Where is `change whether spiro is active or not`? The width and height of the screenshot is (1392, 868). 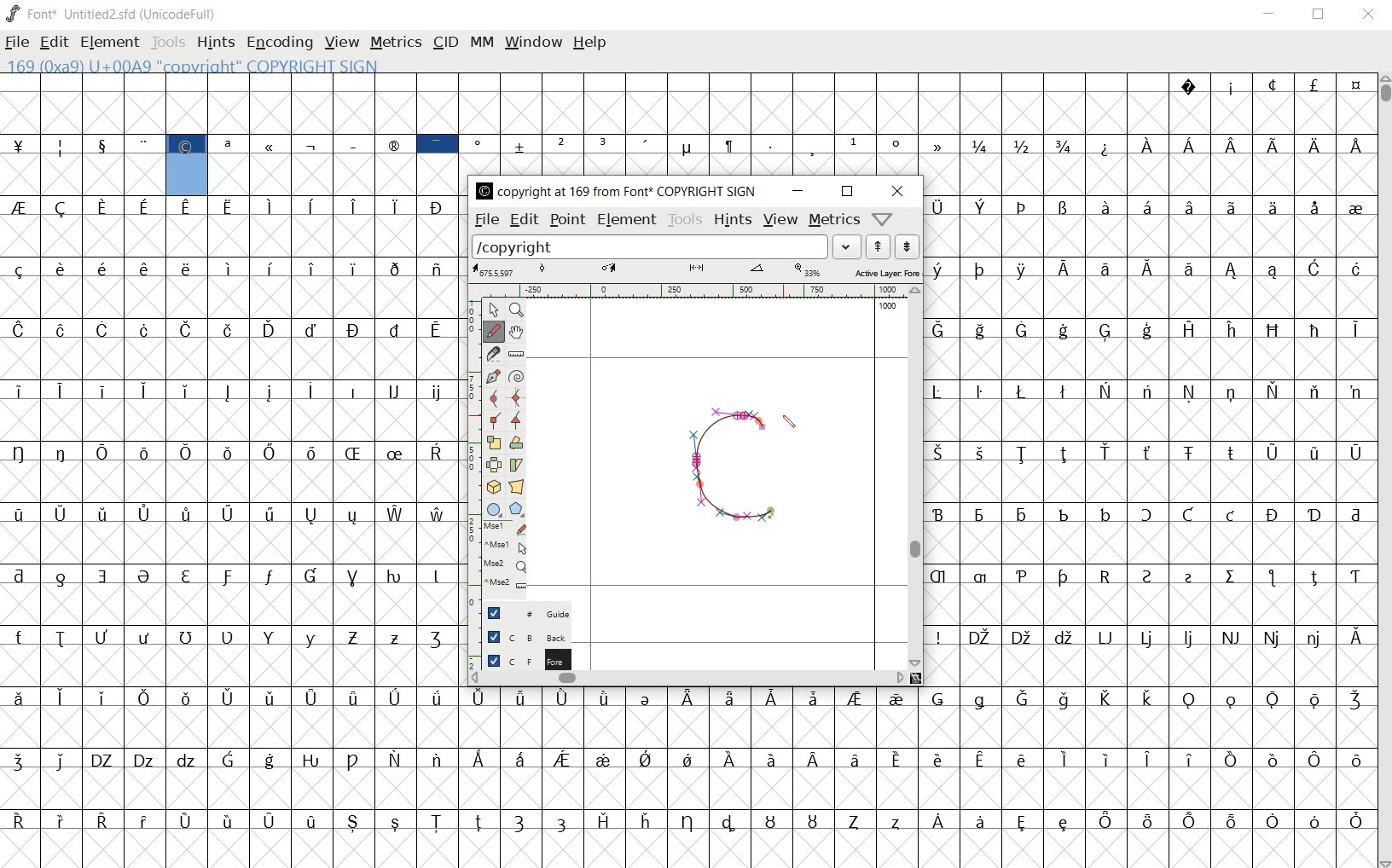 change whether spiro is active or not is located at coordinates (517, 376).